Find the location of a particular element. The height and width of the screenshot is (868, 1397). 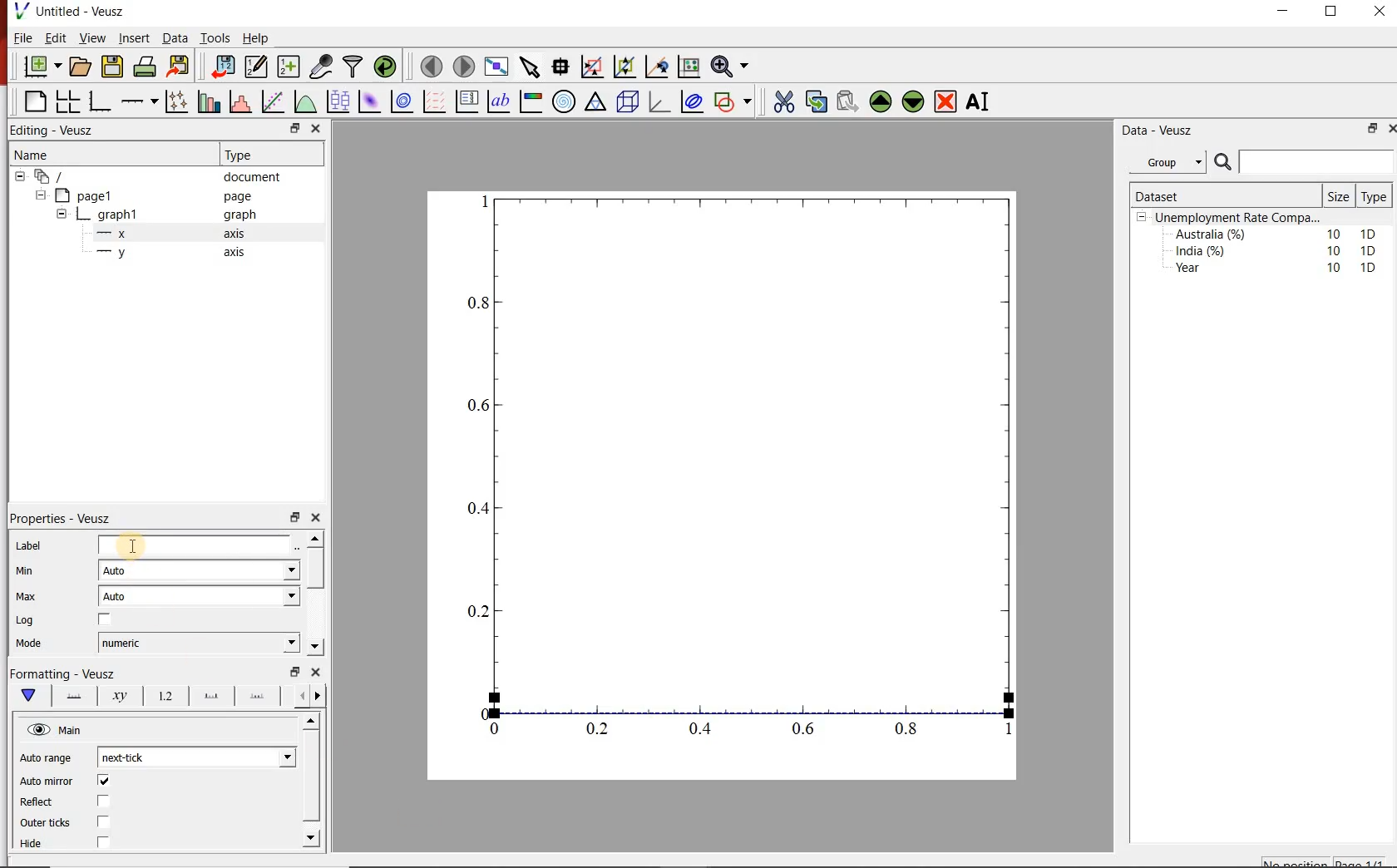

move right is located at coordinates (317, 696).